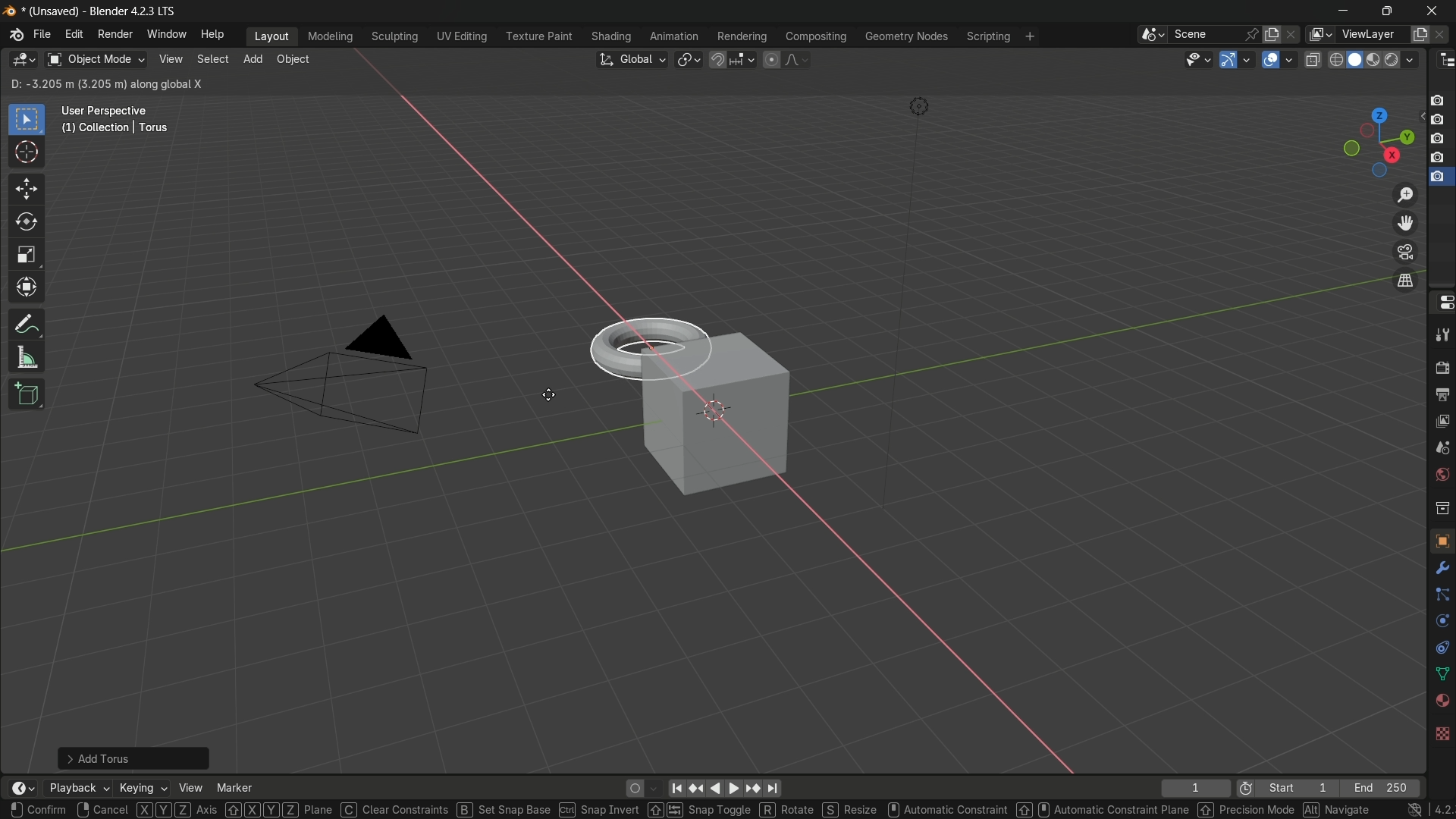 The width and height of the screenshot is (1456, 819). Describe the element at coordinates (1442, 699) in the screenshot. I see `material` at that location.